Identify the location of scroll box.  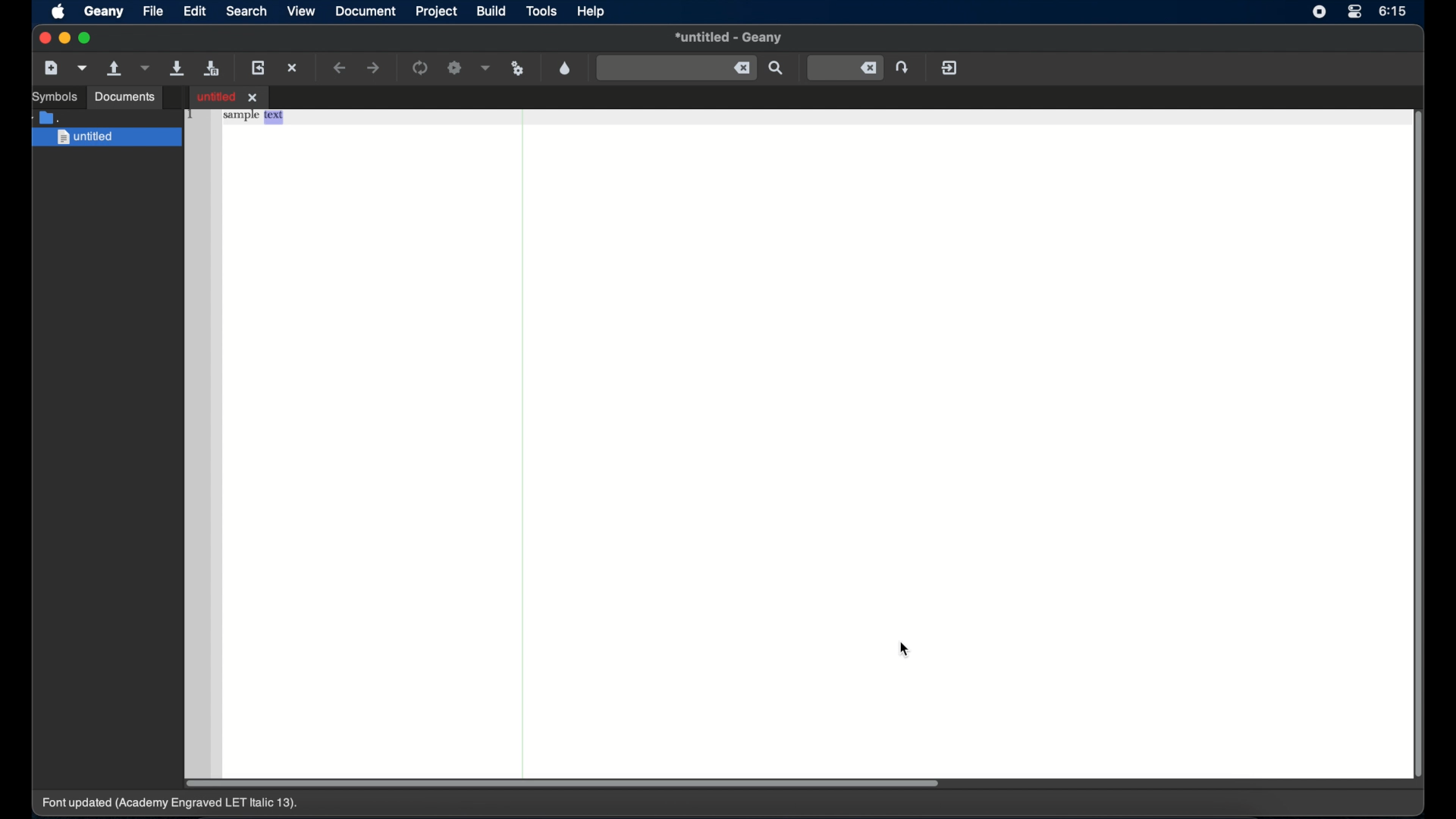
(1420, 447).